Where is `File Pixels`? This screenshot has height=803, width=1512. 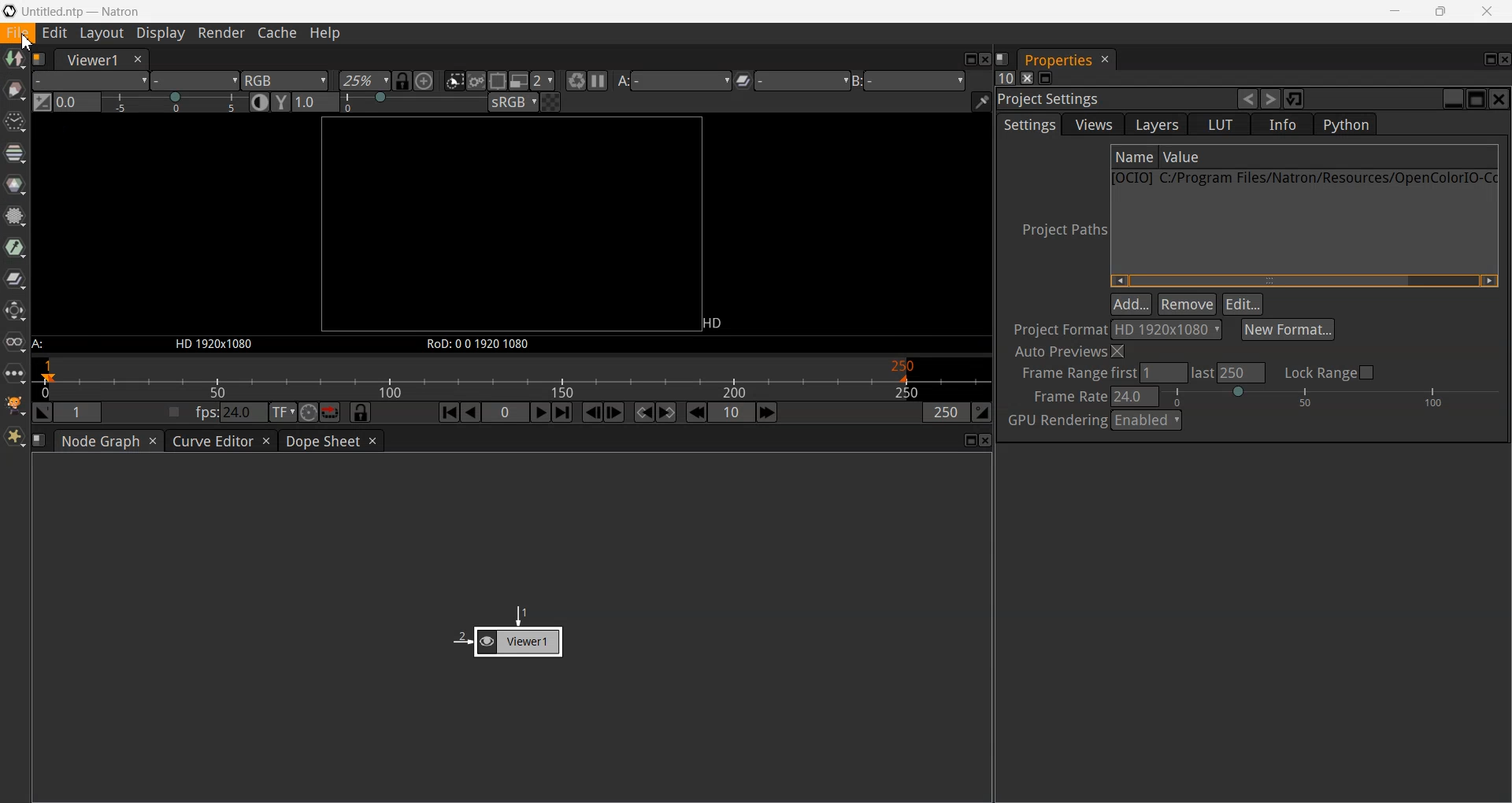
File Pixels is located at coordinates (1121, 329).